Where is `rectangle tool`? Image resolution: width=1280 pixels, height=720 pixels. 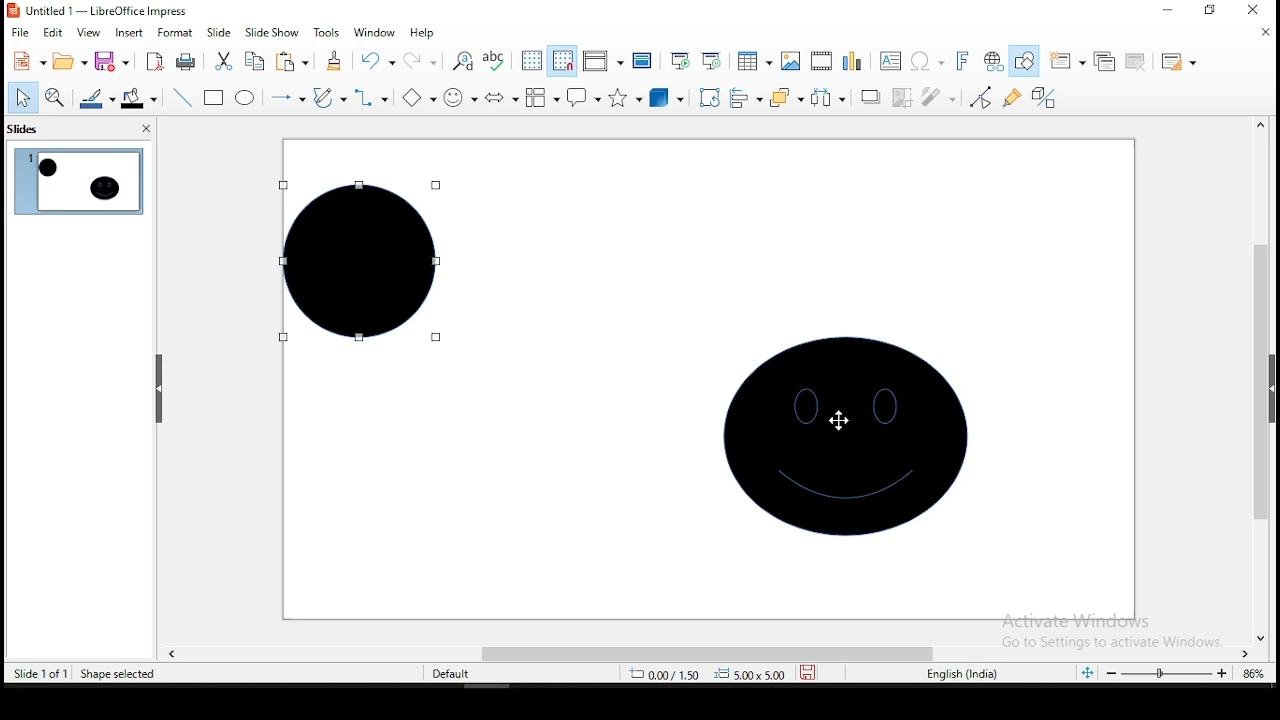 rectangle tool is located at coordinates (214, 98).